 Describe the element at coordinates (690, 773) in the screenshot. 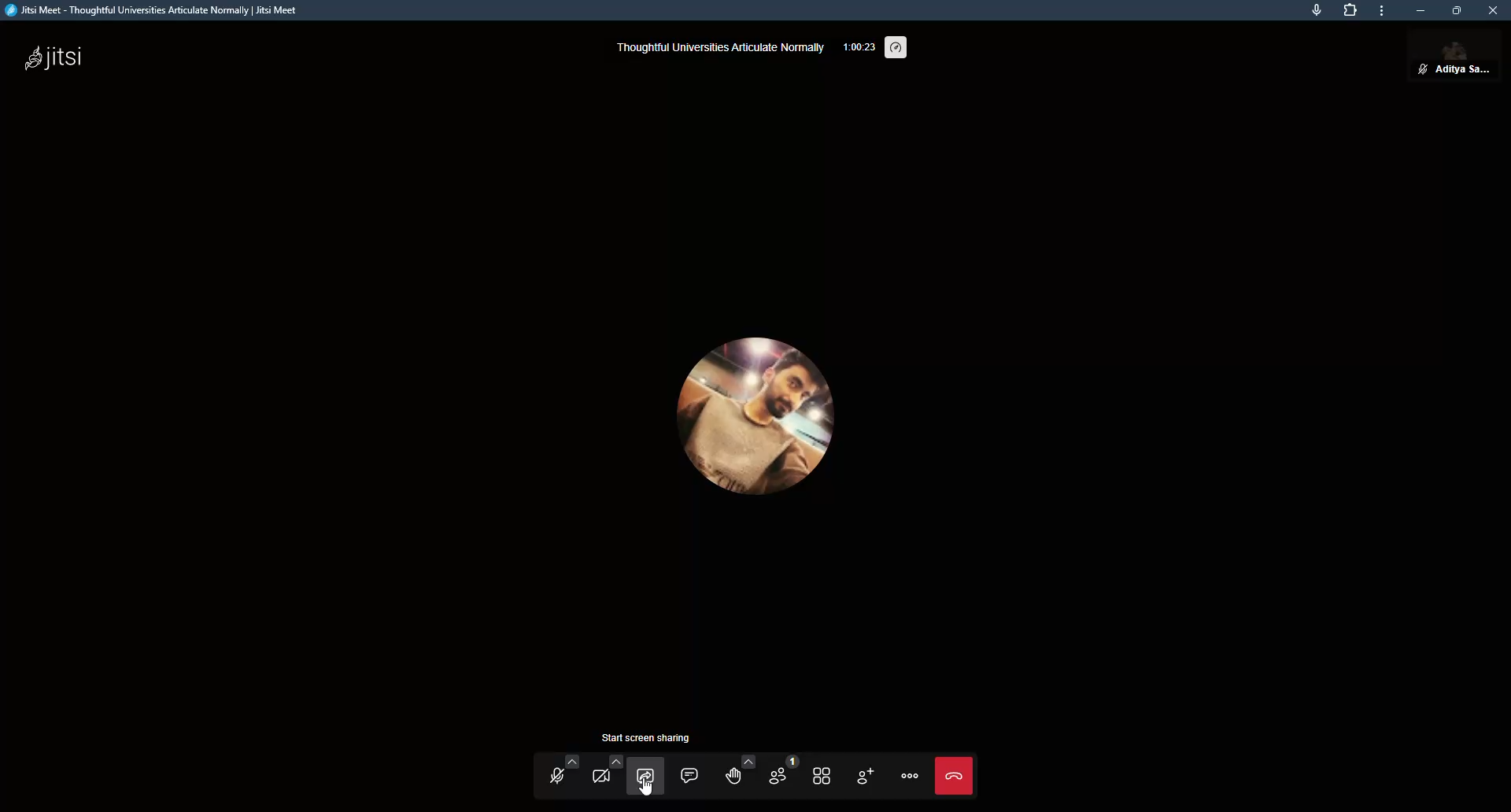

I see `open chat` at that location.